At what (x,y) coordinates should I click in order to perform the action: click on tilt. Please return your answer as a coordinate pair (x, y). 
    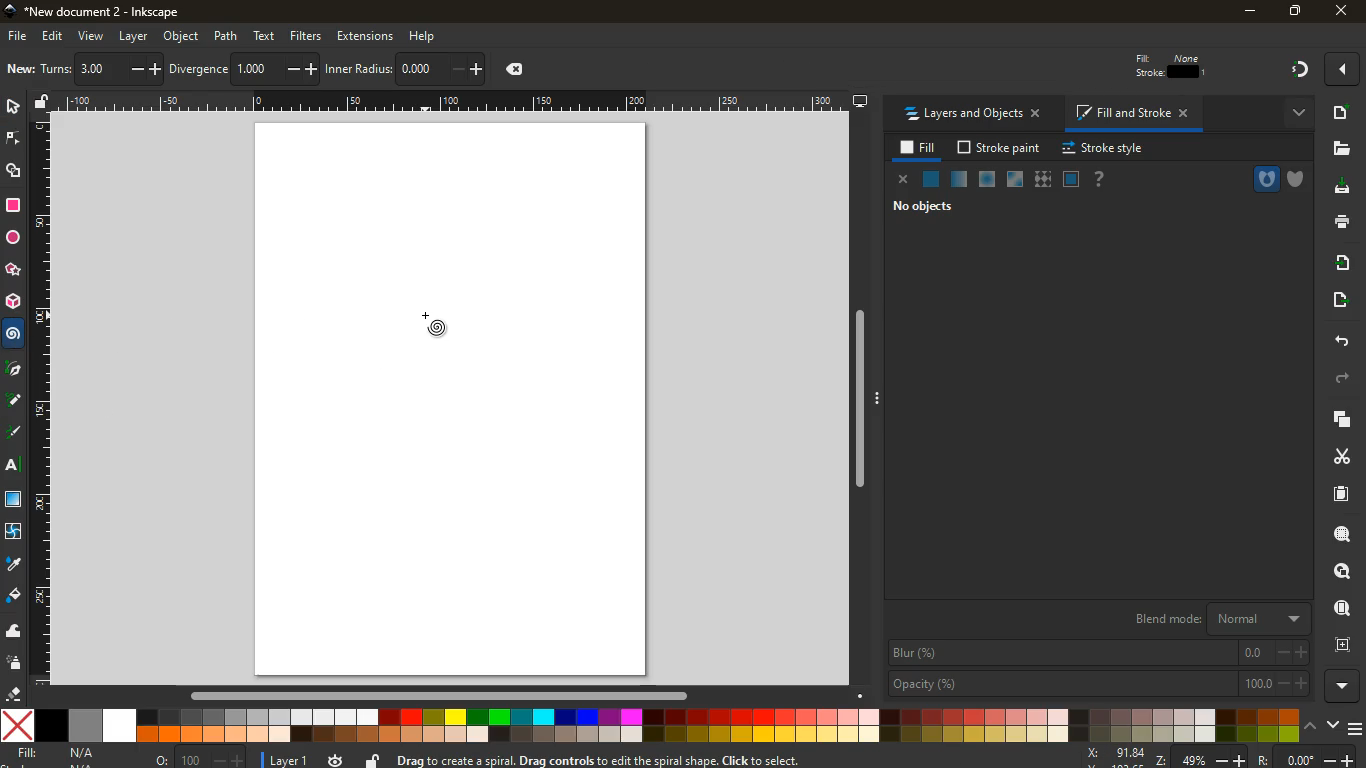
    Looking at the image, I should click on (196, 69).